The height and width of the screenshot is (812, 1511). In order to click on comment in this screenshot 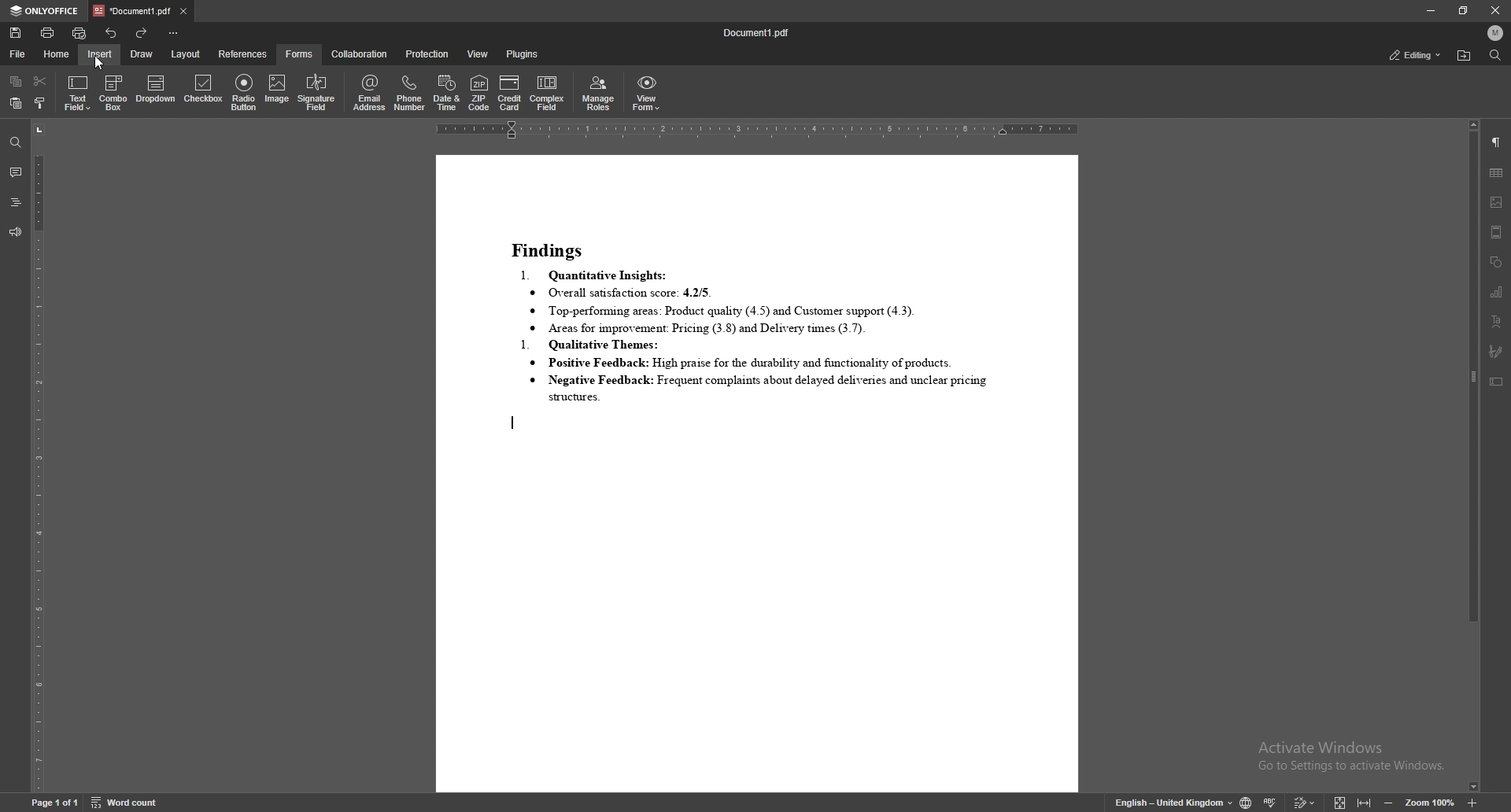, I will do `click(16, 174)`.